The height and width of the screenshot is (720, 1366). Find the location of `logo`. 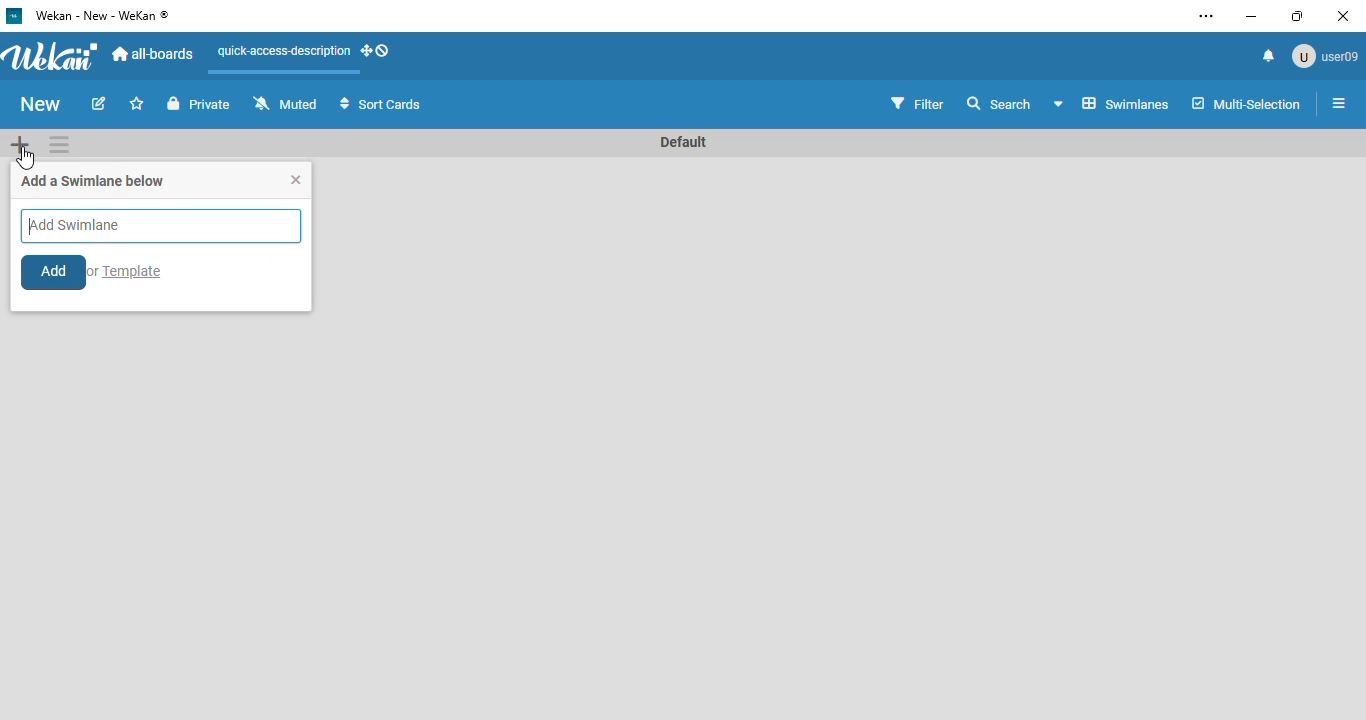

logo is located at coordinates (15, 15).